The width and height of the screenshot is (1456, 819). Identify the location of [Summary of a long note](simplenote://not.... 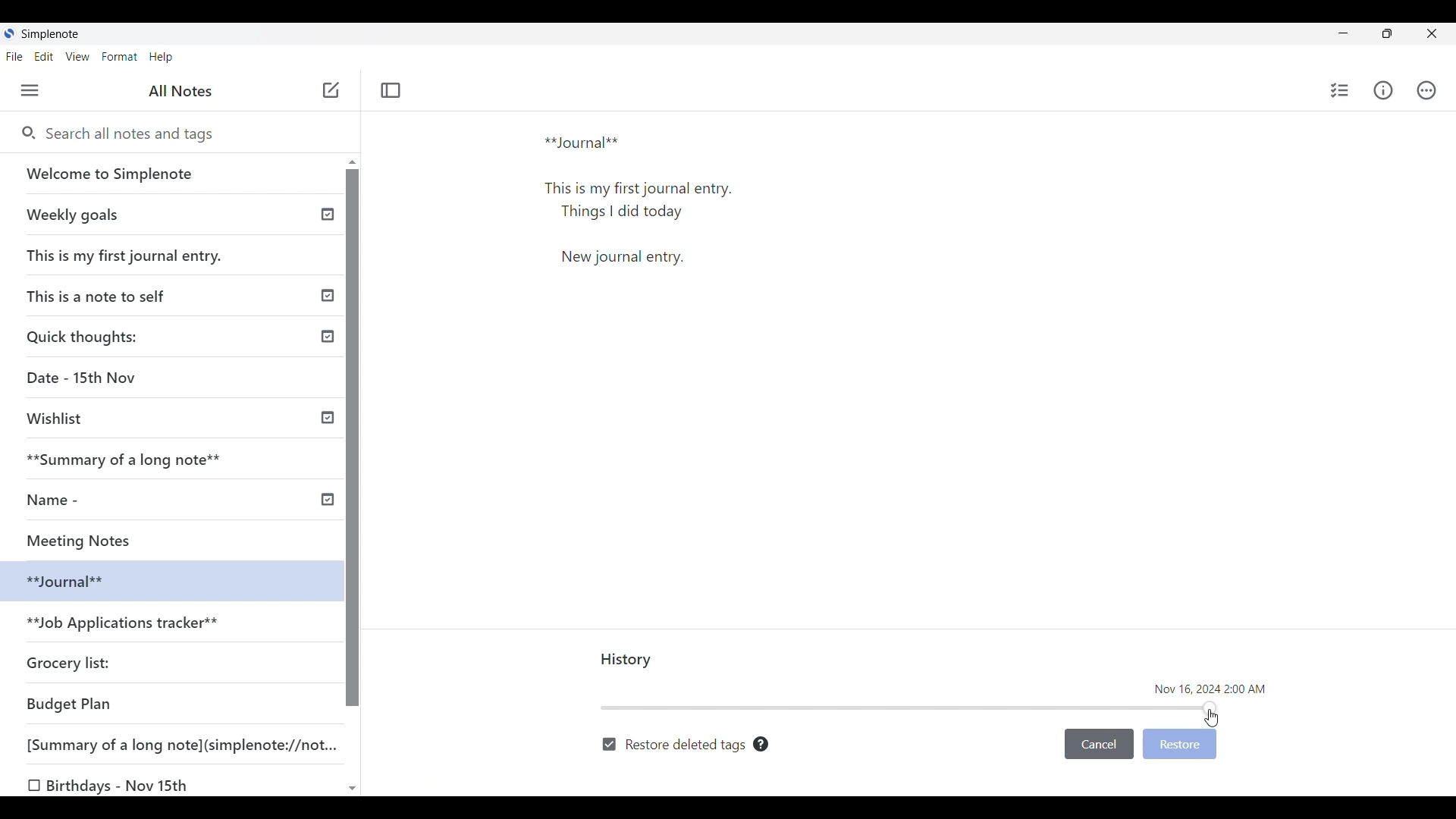
(189, 744).